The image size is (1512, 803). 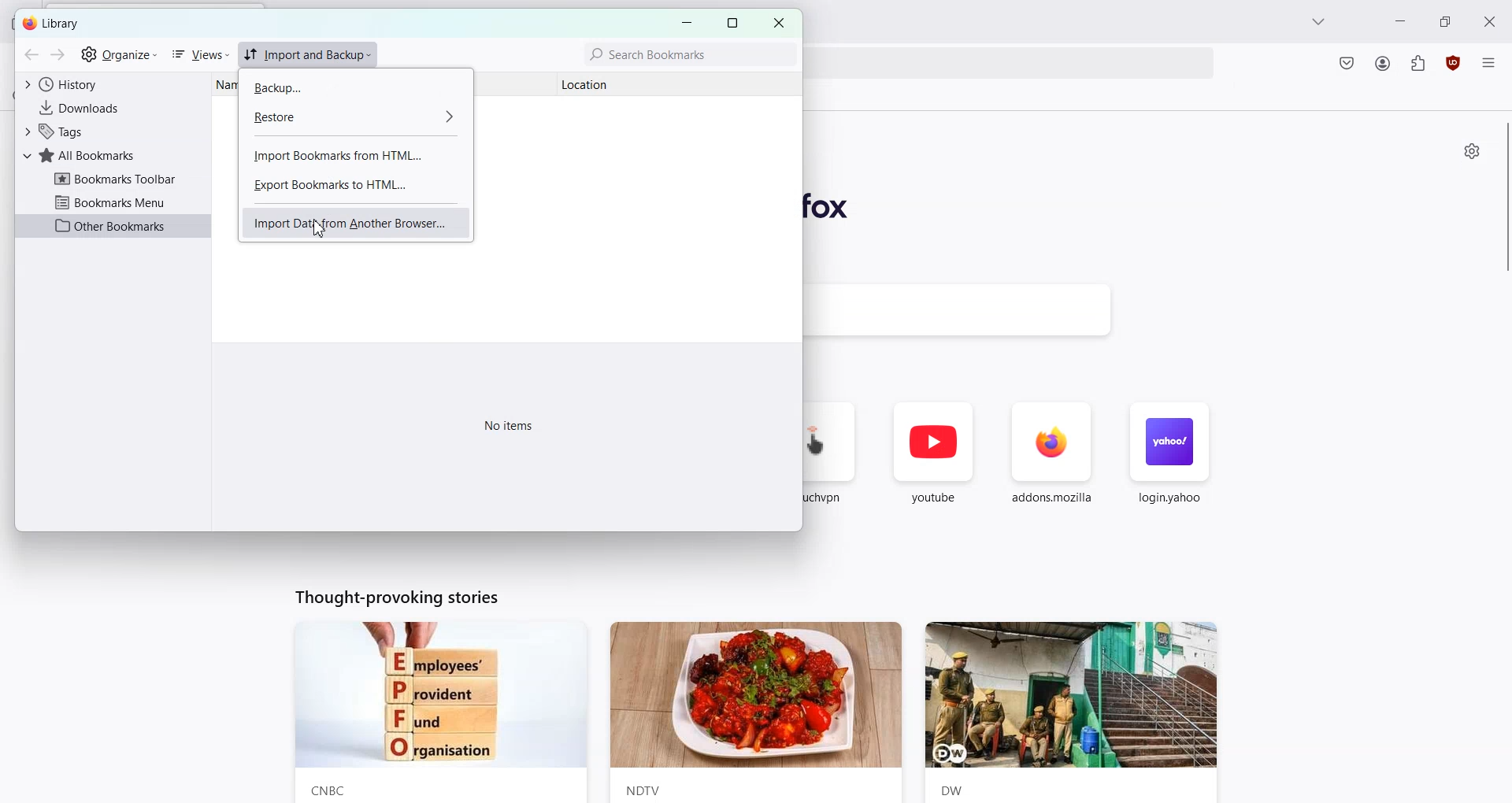 I want to click on Open application menu, so click(x=1490, y=60).